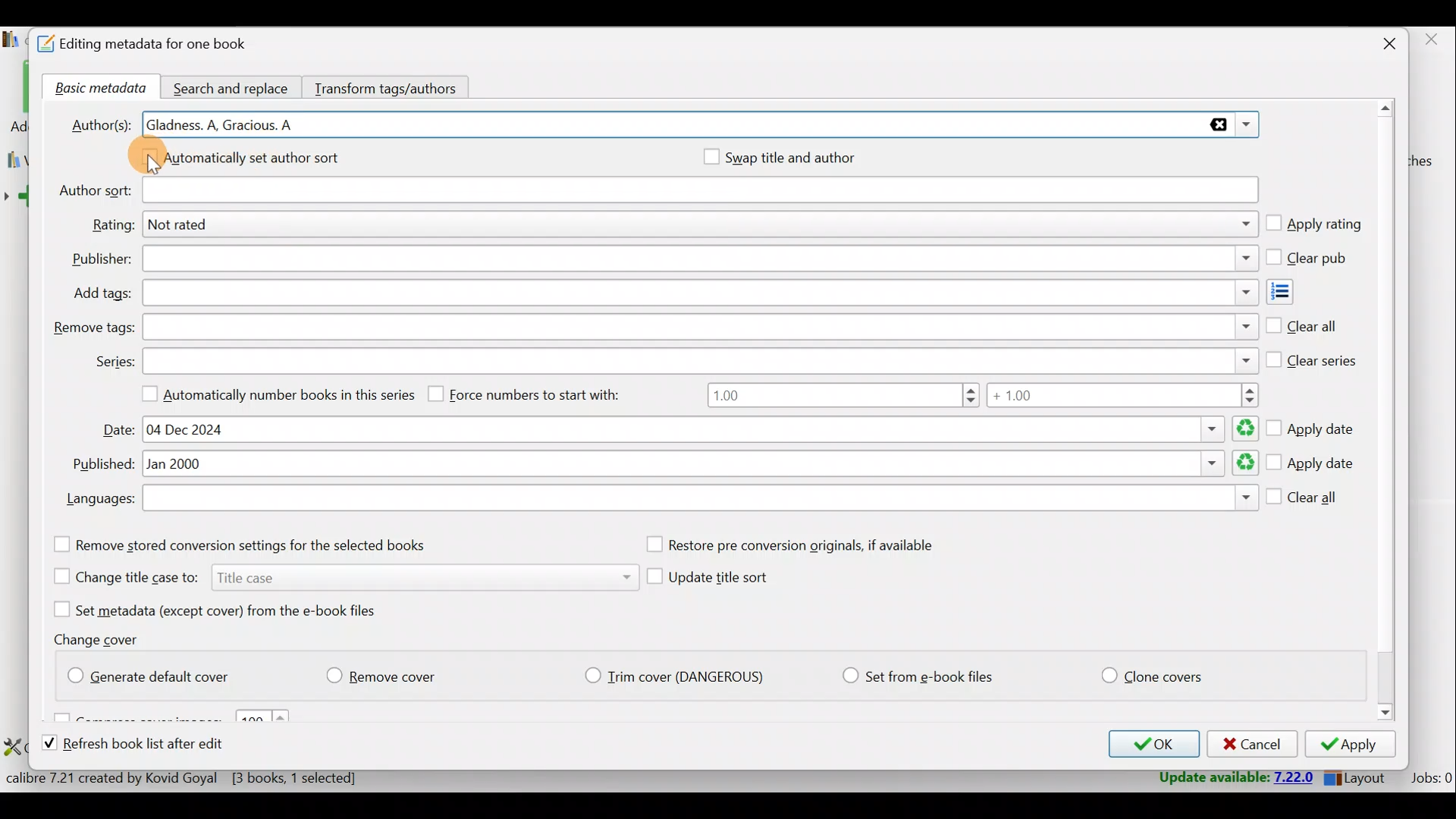 The width and height of the screenshot is (1456, 819). Describe the element at coordinates (699, 260) in the screenshot. I see `Publisher` at that location.